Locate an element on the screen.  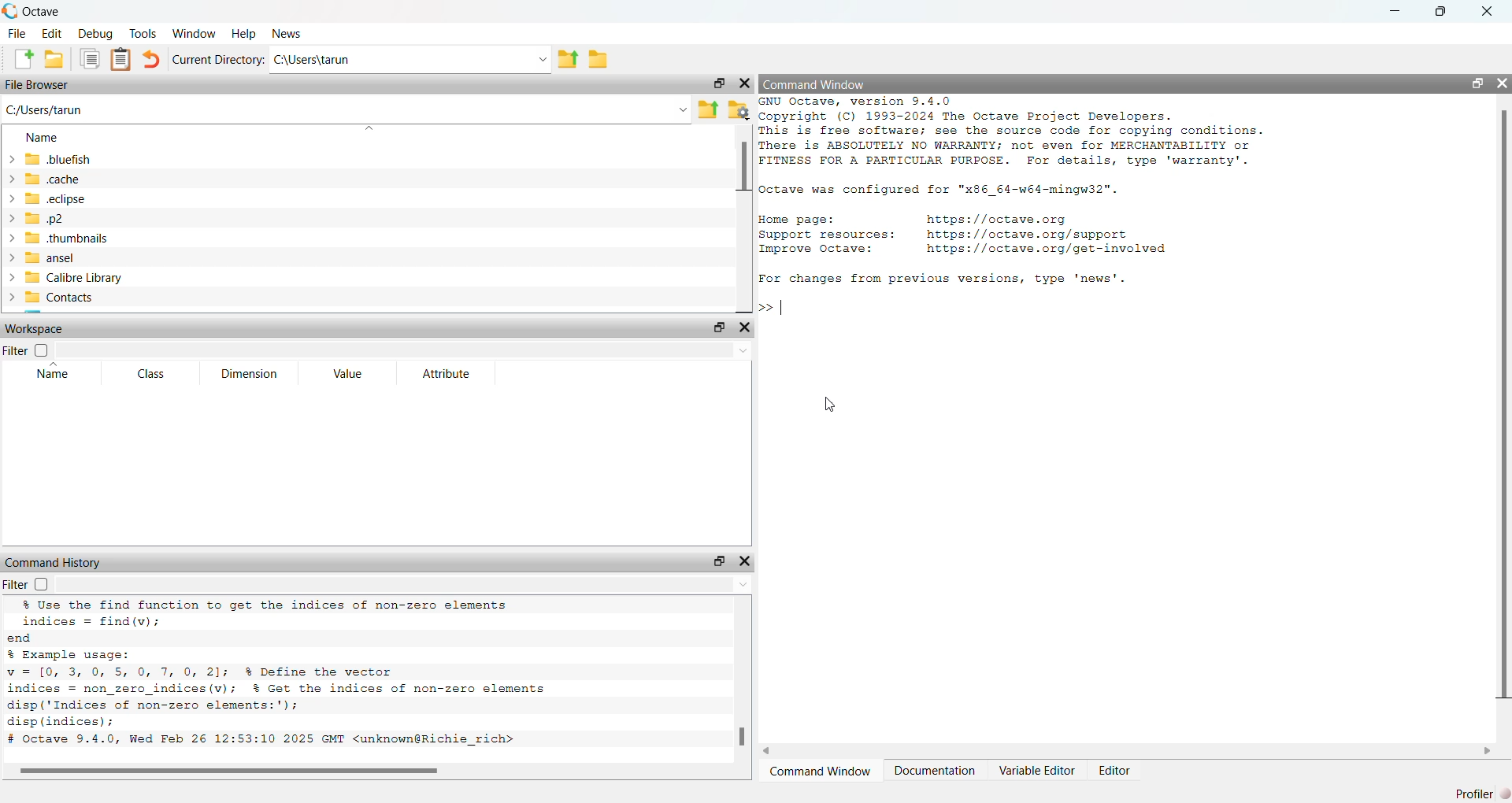
File is located at coordinates (18, 35).